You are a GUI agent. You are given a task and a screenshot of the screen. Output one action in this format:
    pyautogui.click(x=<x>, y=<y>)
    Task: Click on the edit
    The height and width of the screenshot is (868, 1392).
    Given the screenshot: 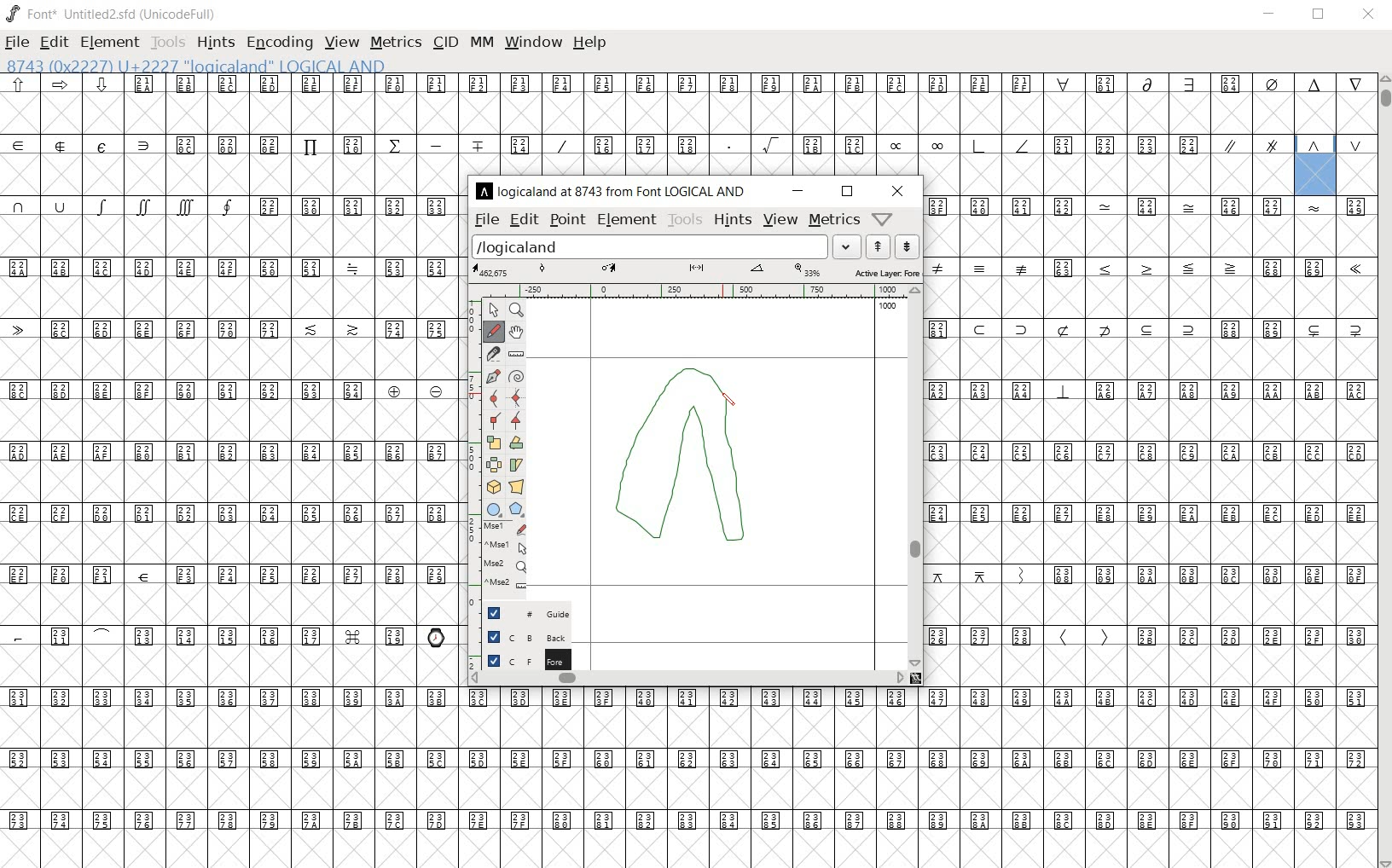 What is the action you would take?
    pyautogui.click(x=523, y=219)
    